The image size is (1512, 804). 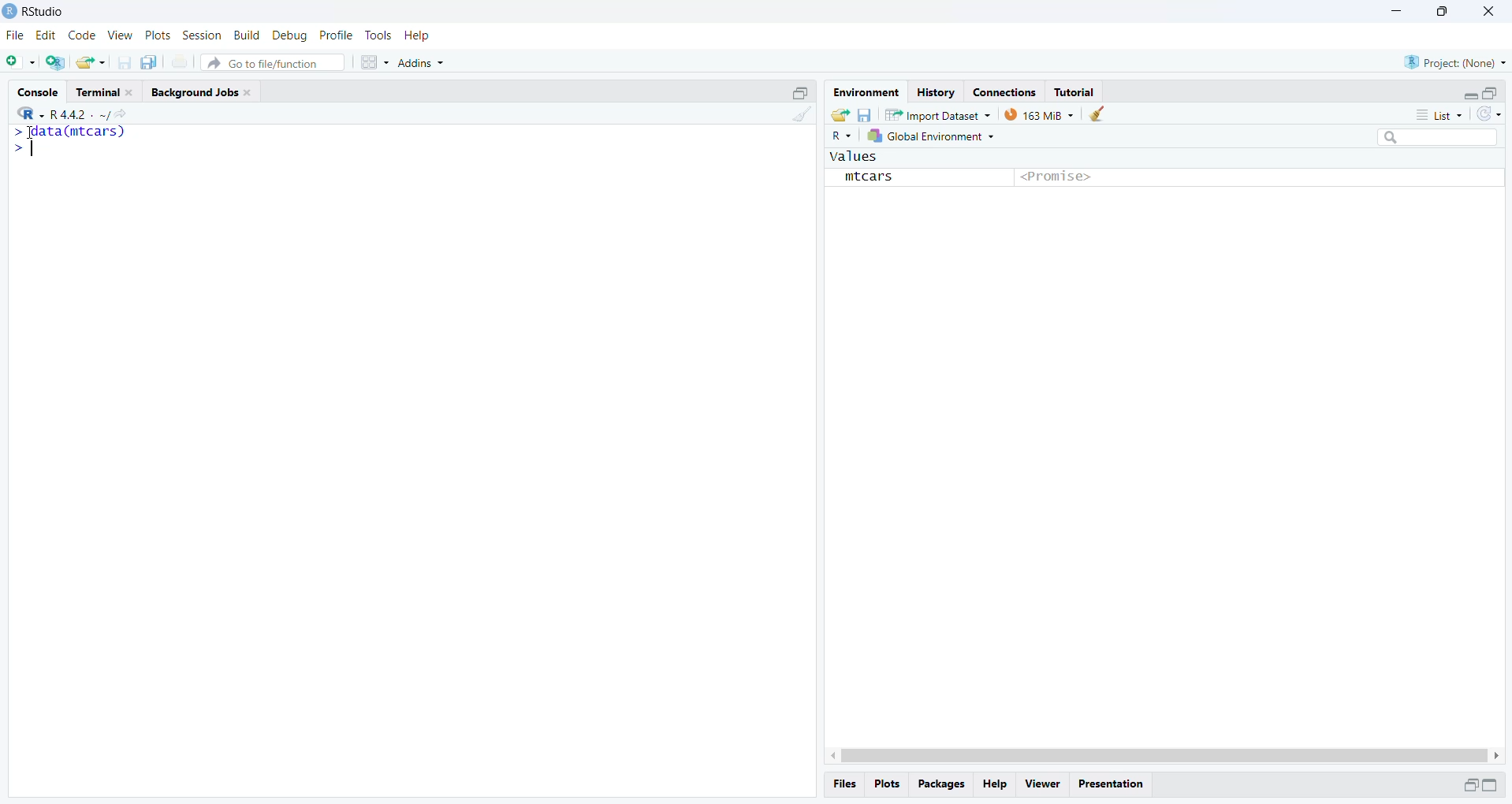 I want to click on Project: (None), so click(x=1455, y=62).